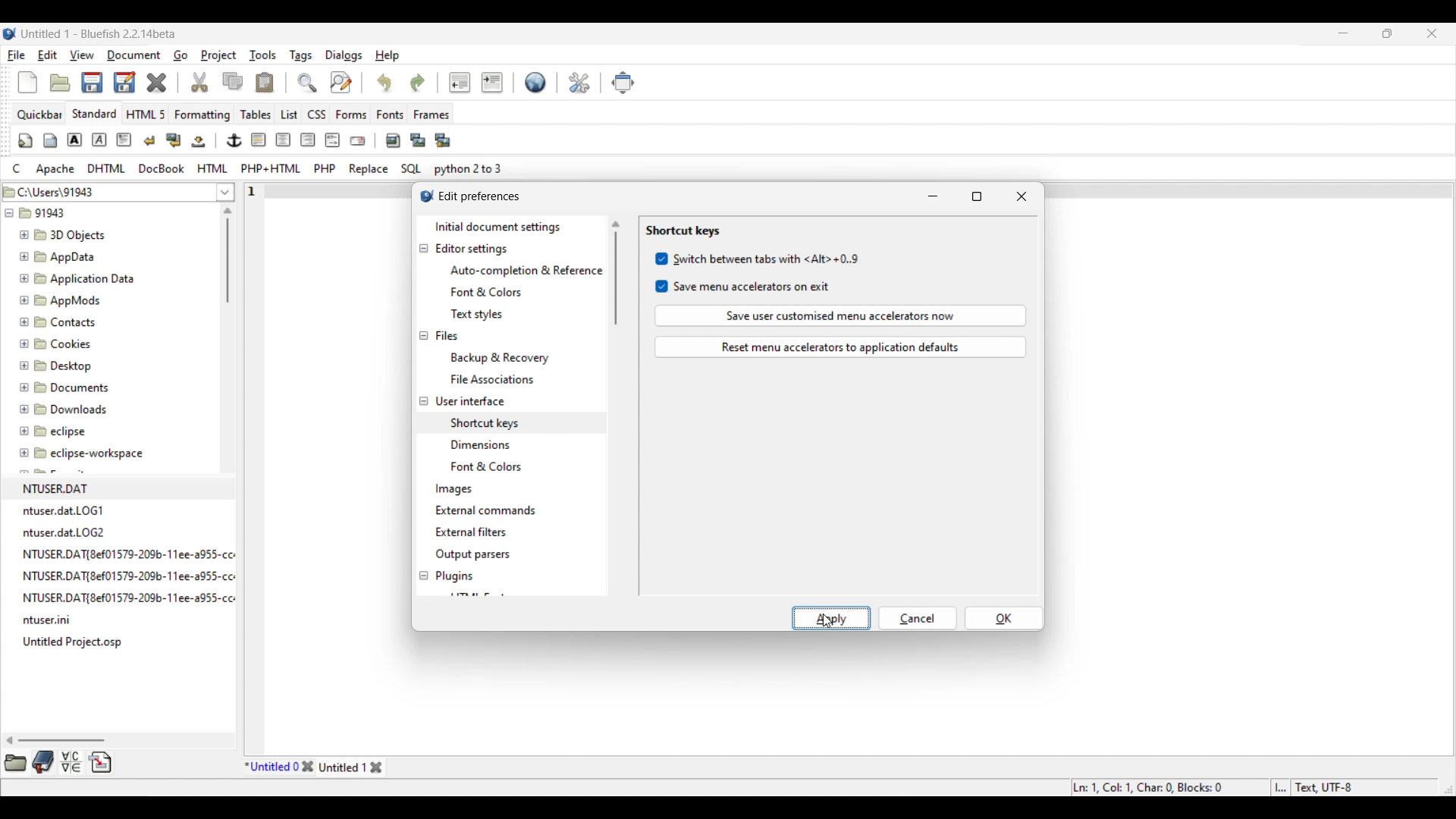  What do you see at coordinates (226, 192) in the screenshot?
I see `File list` at bounding box center [226, 192].